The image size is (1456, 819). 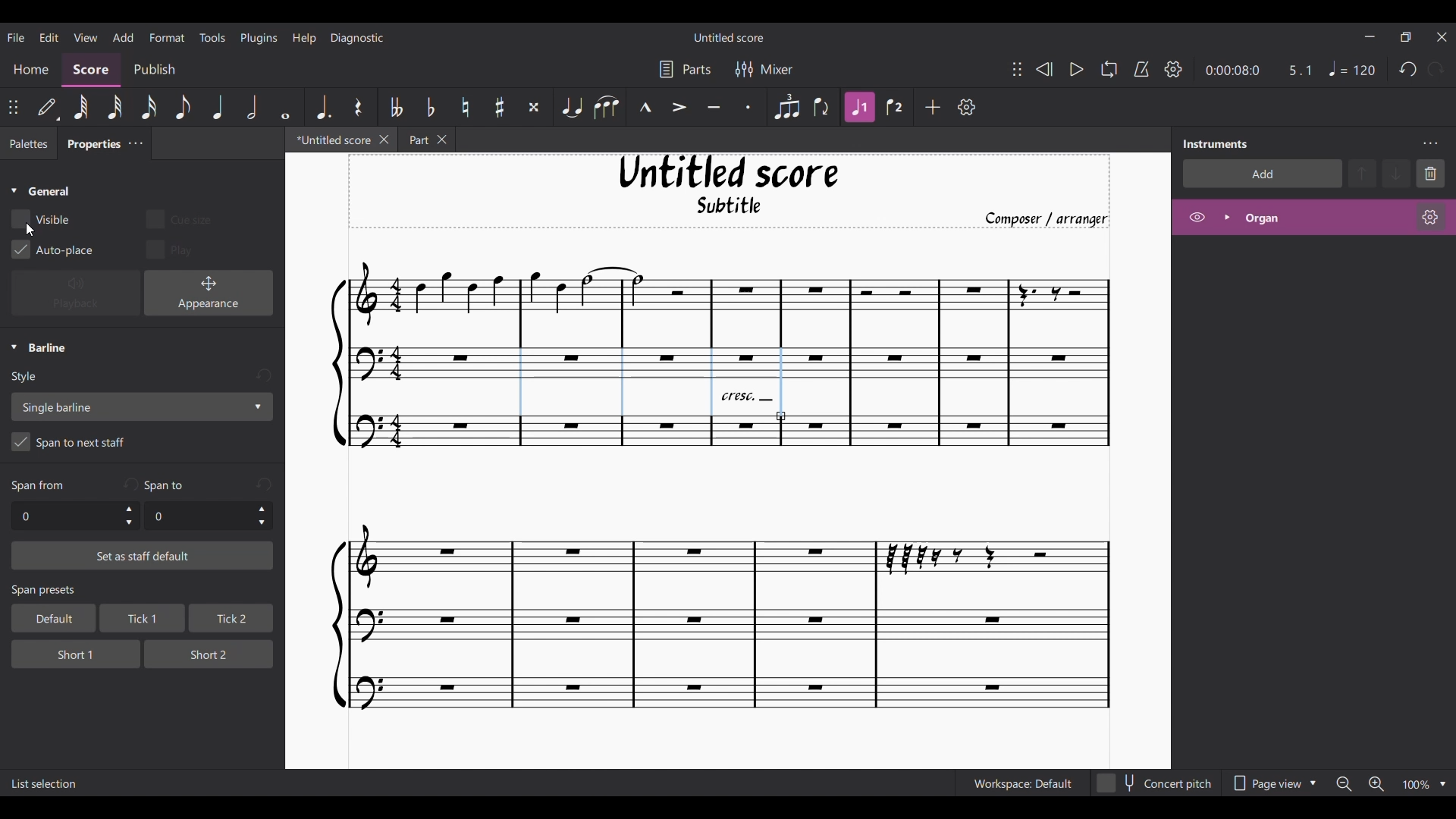 I want to click on Composer/arranger, so click(x=1053, y=219).